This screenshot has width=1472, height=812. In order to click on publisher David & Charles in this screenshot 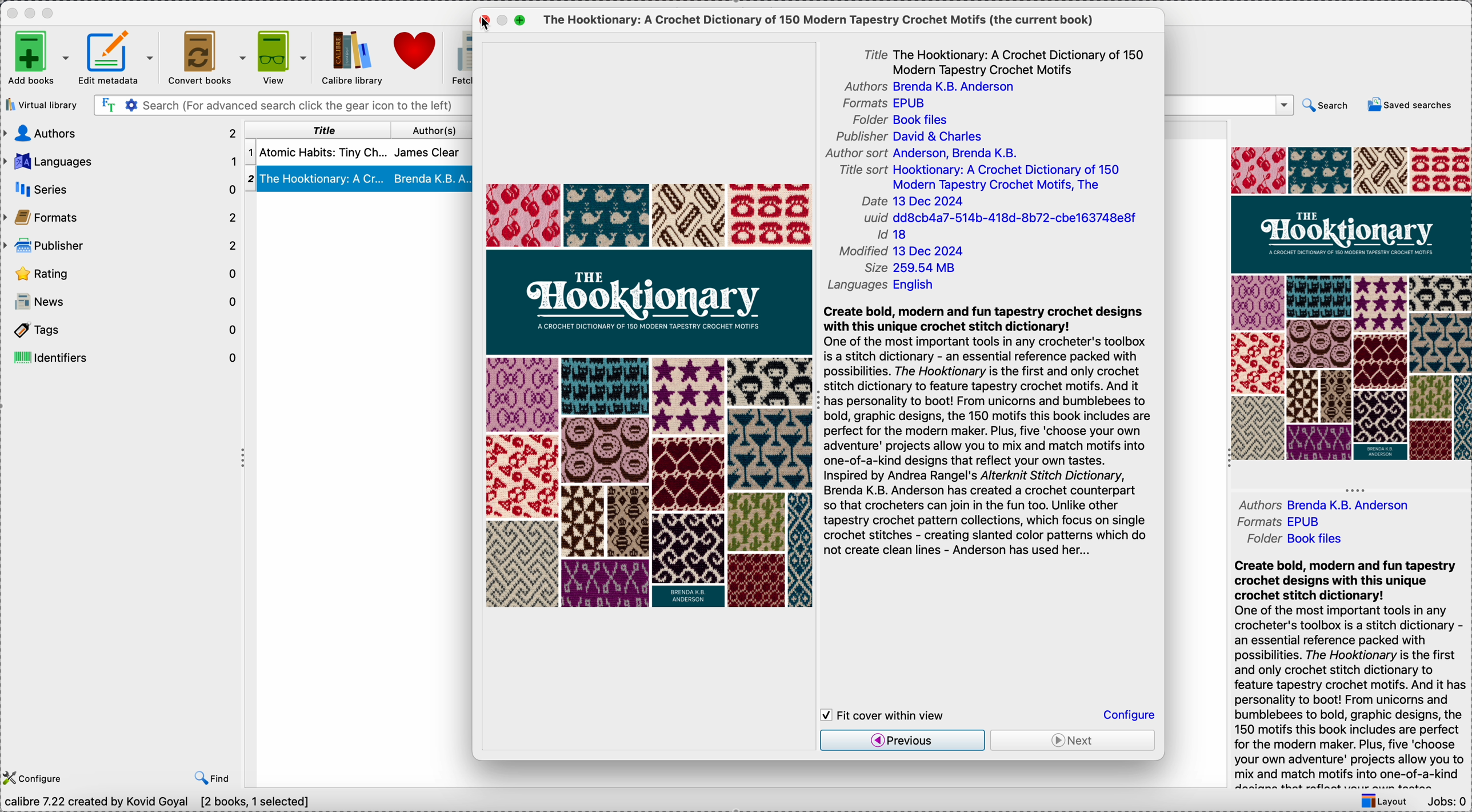, I will do `click(905, 137)`.